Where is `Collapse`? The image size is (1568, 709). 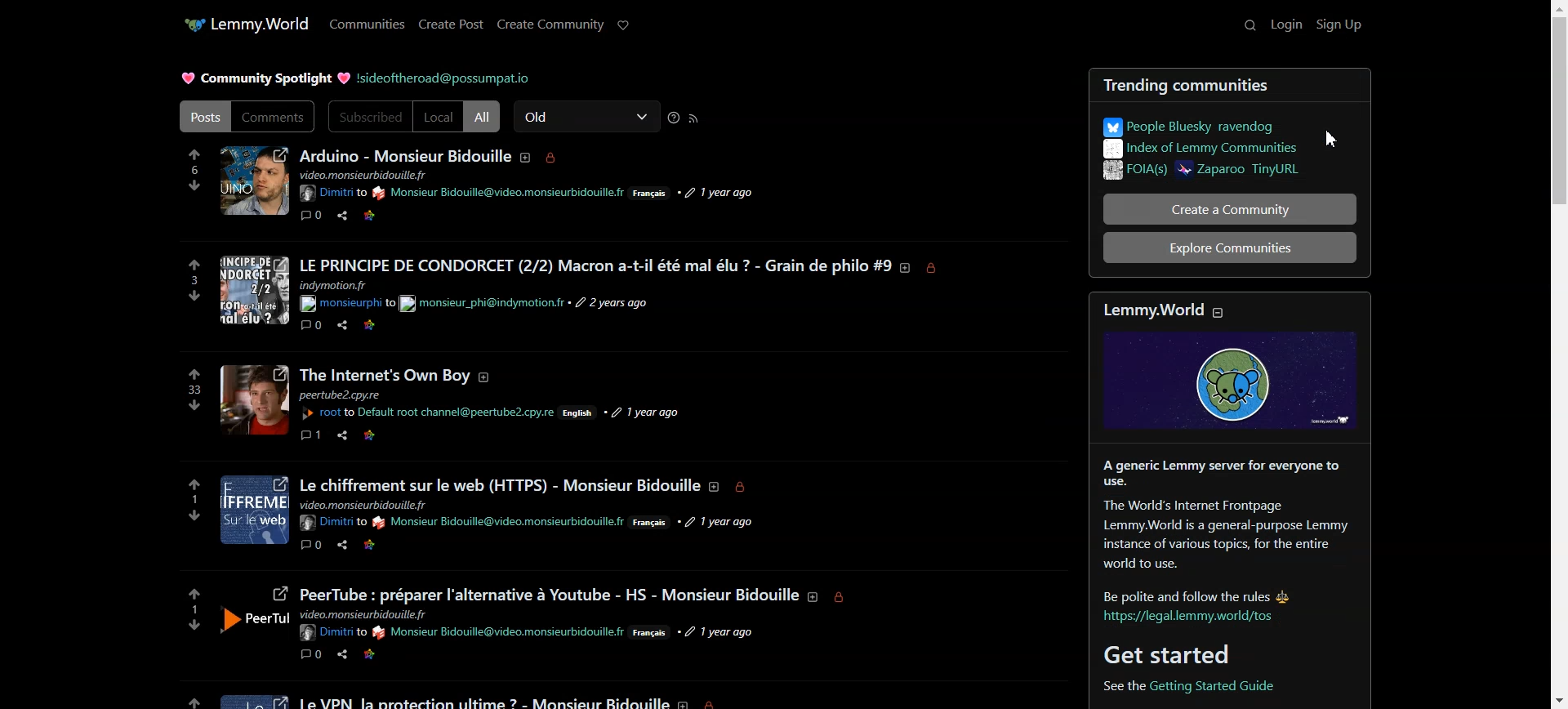
Collapse is located at coordinates (1226, 313).